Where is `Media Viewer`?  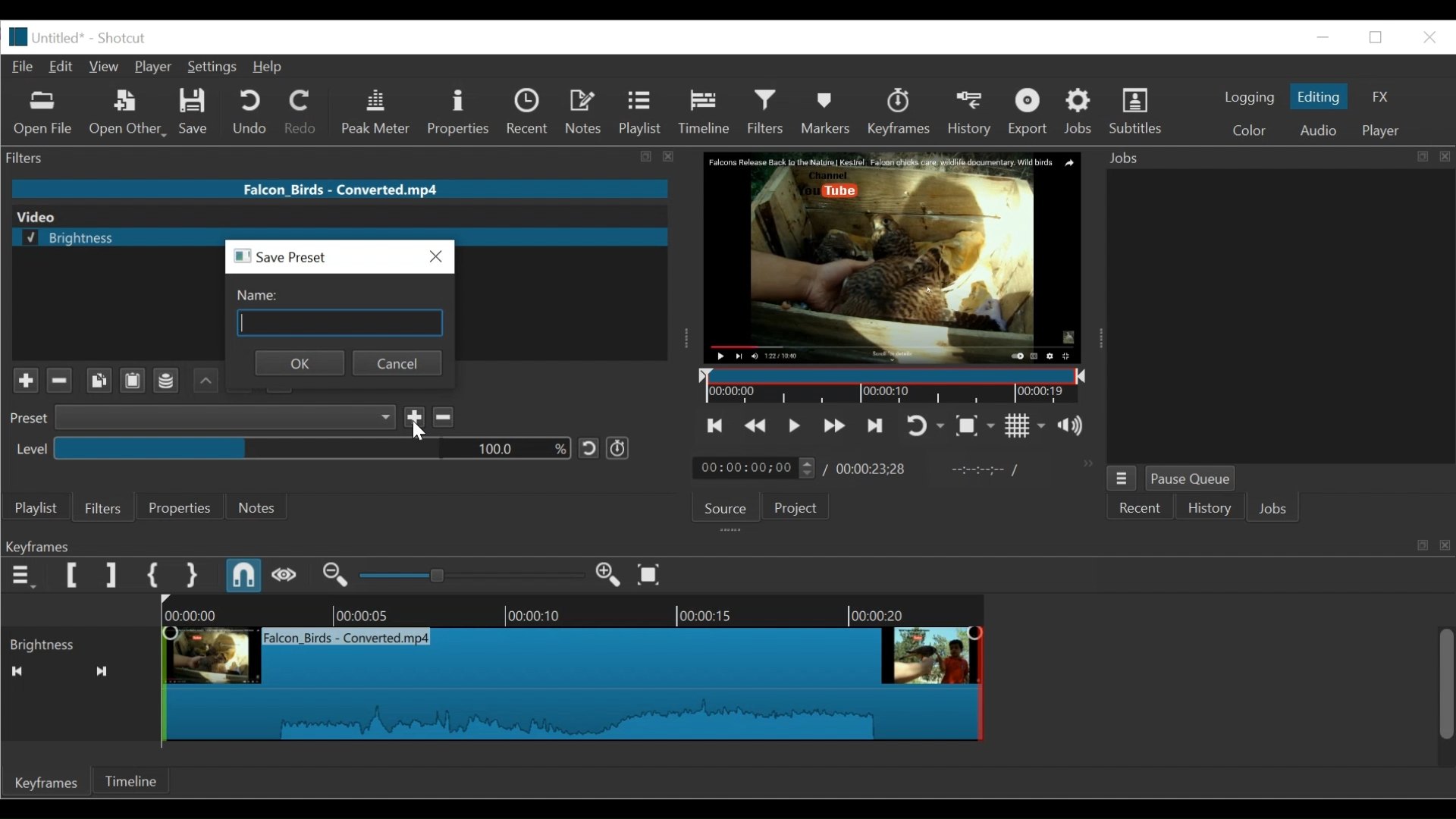 Media Viewer is located at coordinates (890, 257).